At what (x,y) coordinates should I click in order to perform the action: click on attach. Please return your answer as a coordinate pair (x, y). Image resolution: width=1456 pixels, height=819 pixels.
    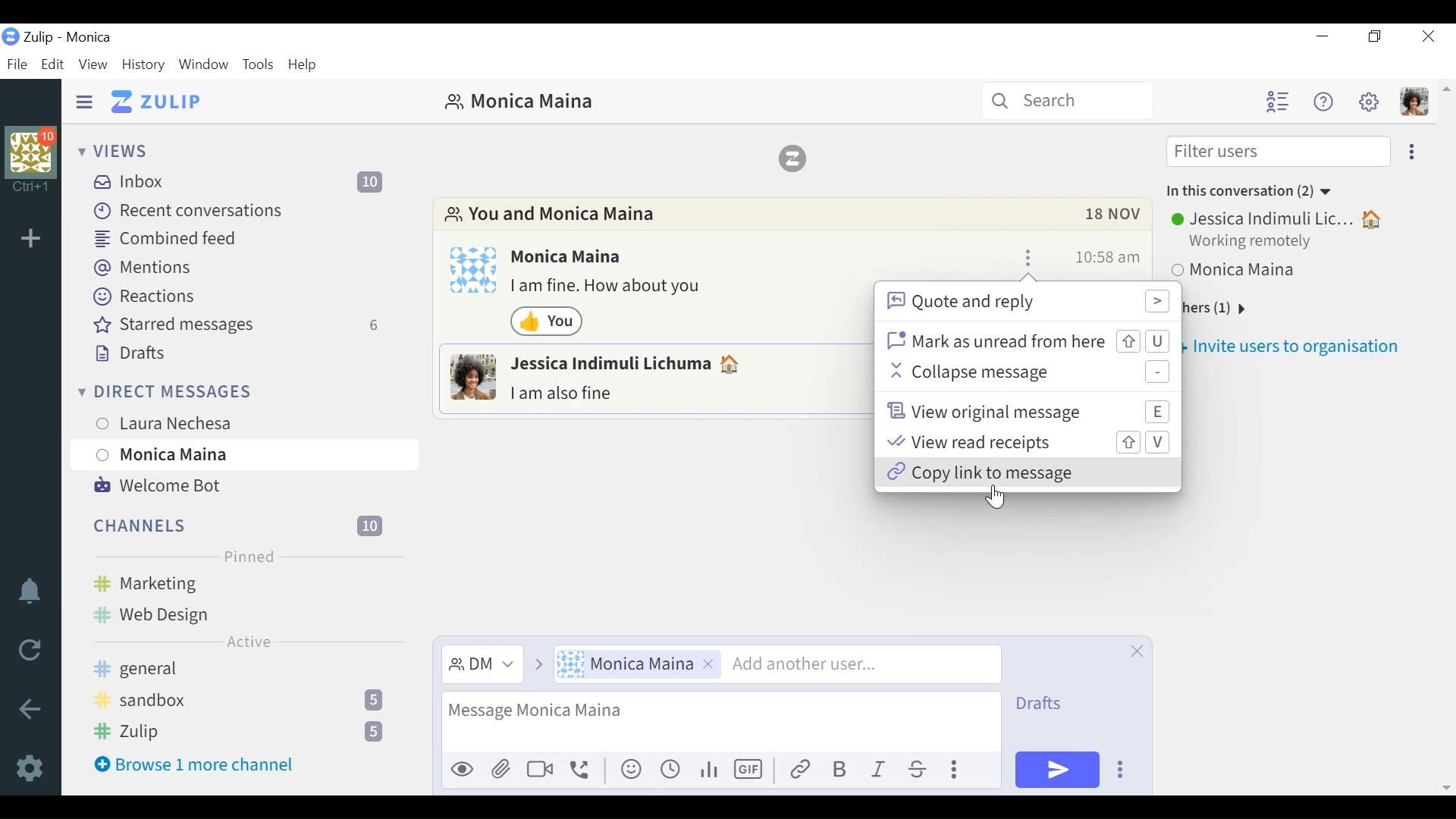
    Looking at the image, I should click on (502, 770).